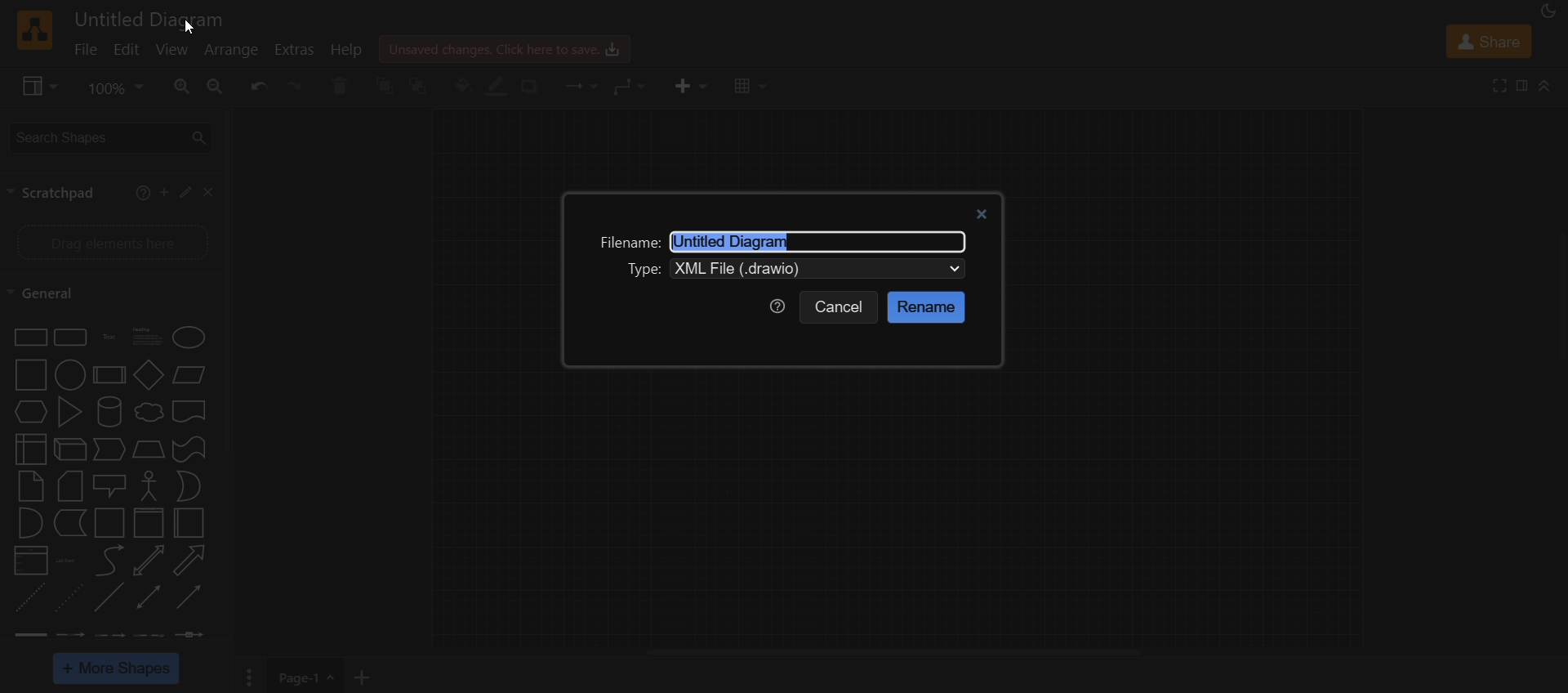  What do you see at coordinates (35, 86) in the screenshot?
I see `view` at bounding box center [35, 86].